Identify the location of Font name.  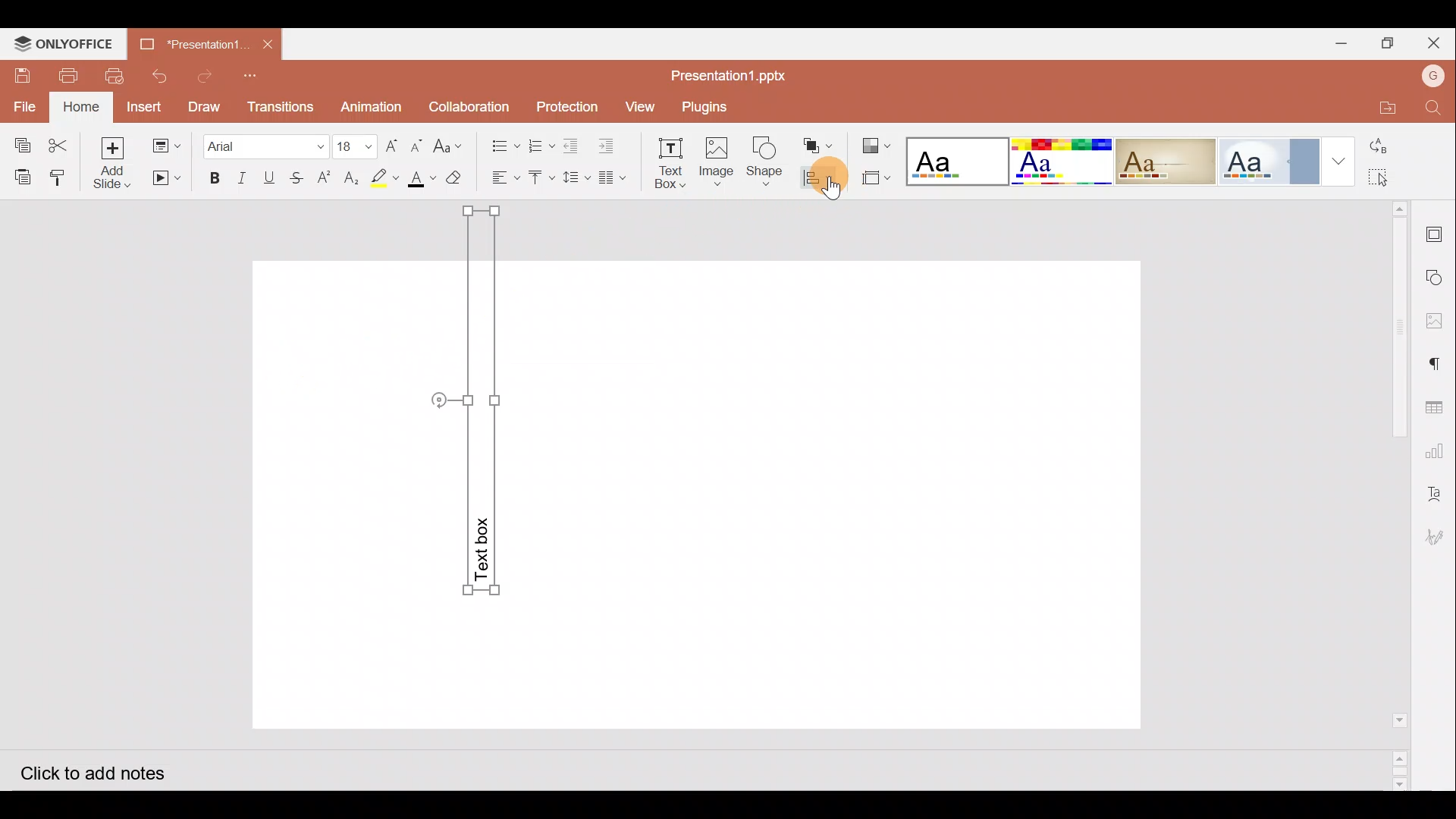
(265, 144).